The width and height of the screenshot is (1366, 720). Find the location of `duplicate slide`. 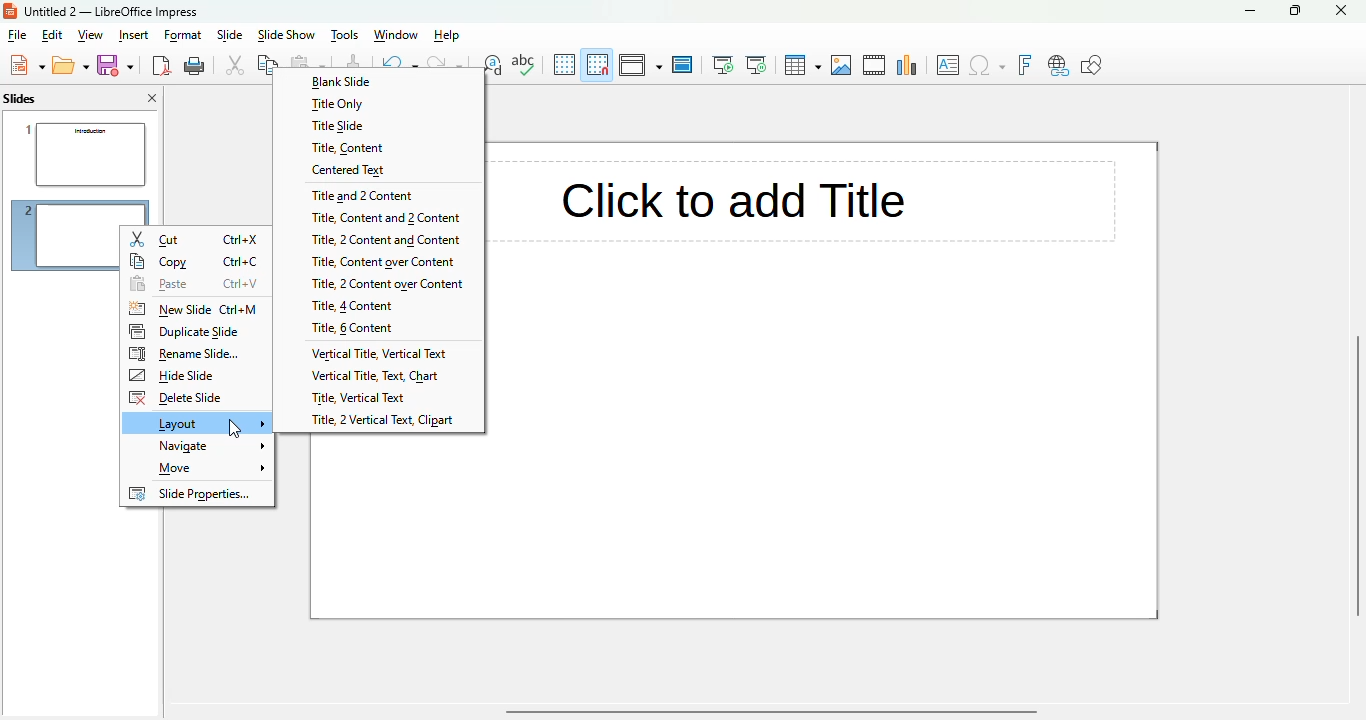

duplicate slide is located at coordinates (195, 331).